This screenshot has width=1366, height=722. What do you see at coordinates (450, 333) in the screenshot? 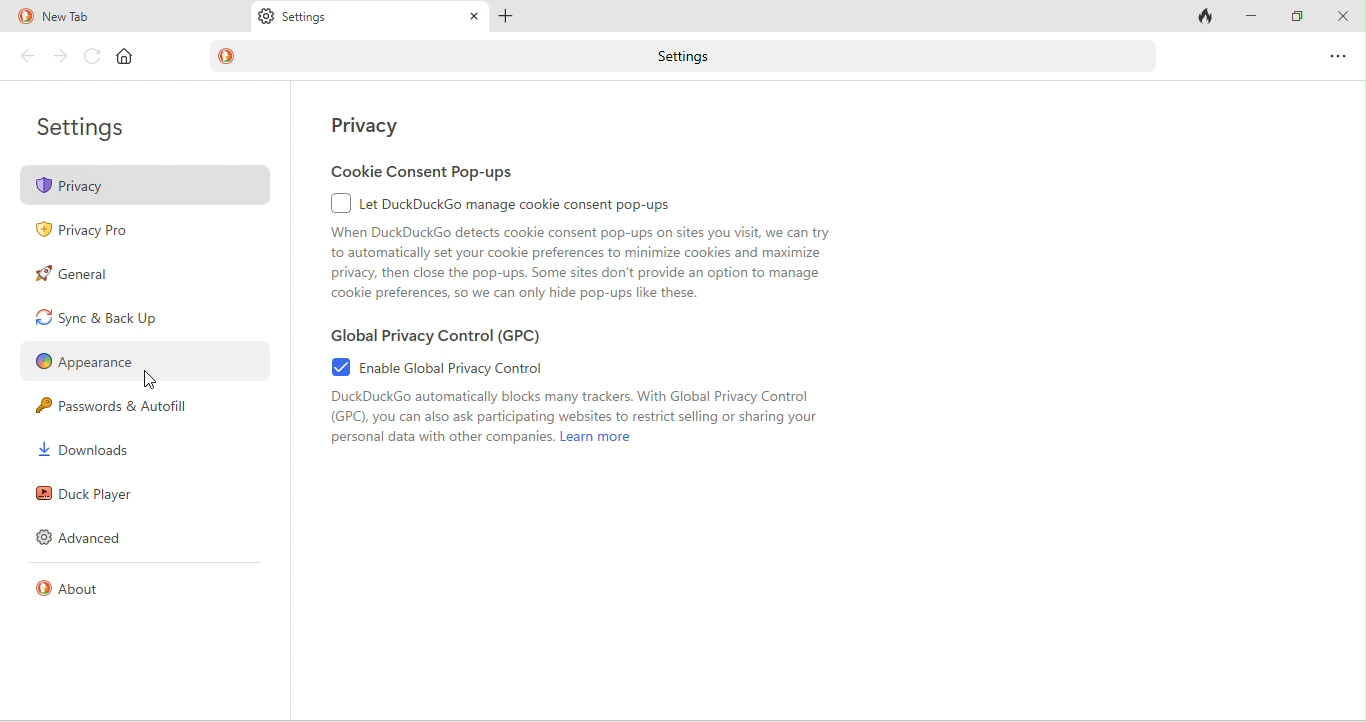
I see `global privacy control (gpc)` at bounding box center [450, 333].